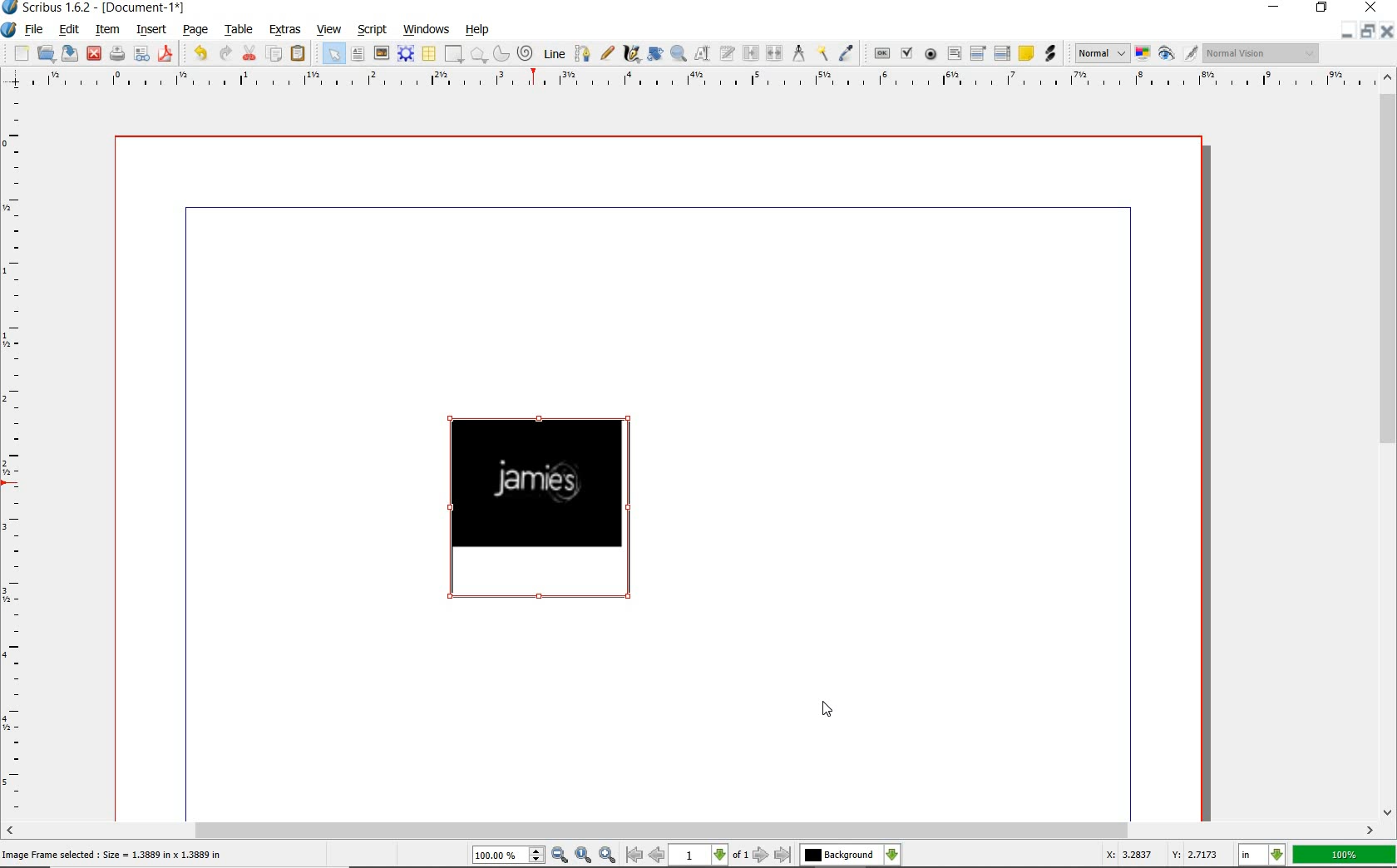 Image resolution: width=1397 pixels, height=868 pixels. Describe the element at coordinates (545, 508) in the screenshot. I see `duotone effect added to image` at that location.